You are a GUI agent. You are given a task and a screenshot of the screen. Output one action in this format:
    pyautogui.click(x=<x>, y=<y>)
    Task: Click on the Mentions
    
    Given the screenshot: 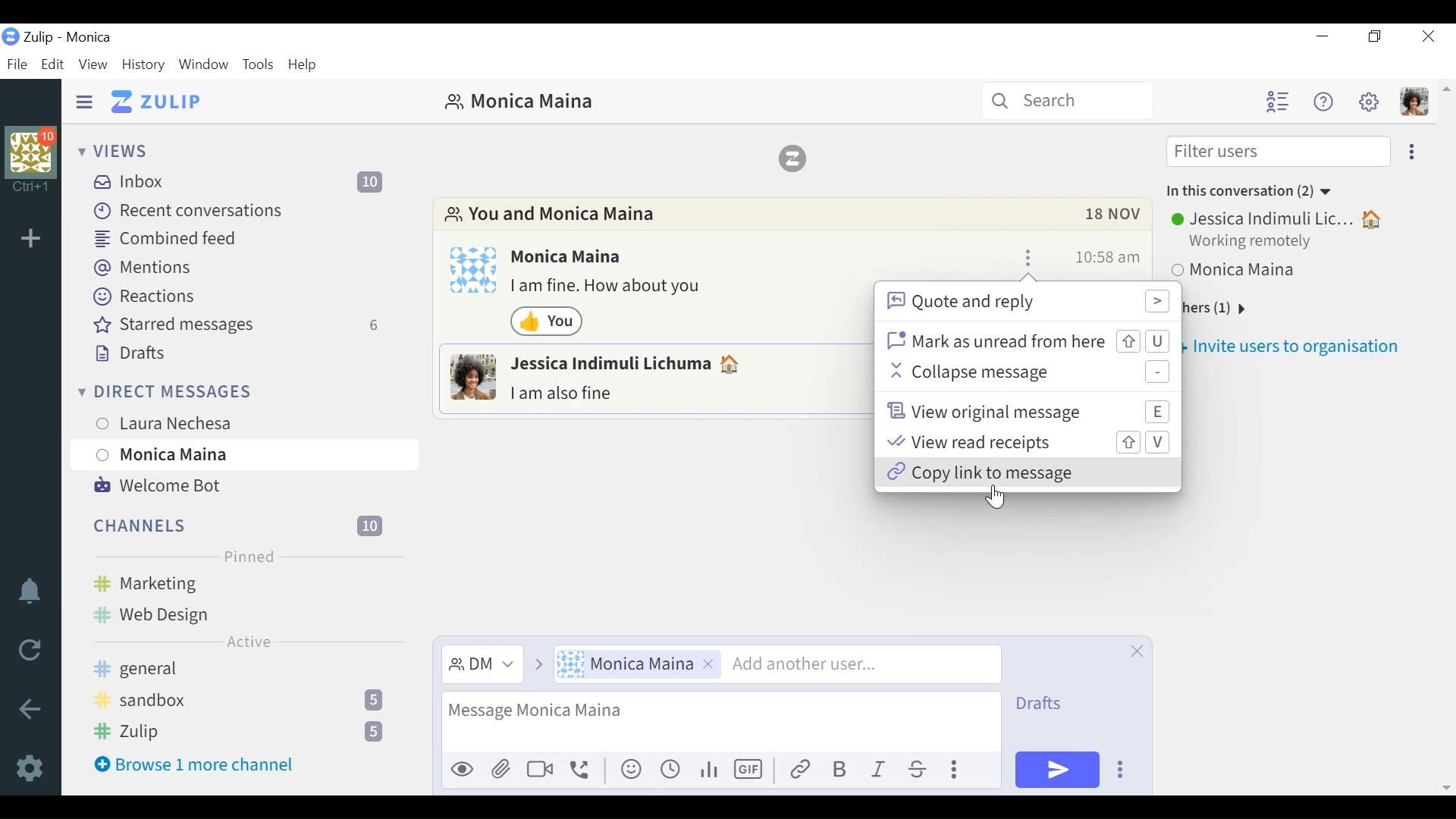 What is the action you would take?
    pyautogui.click(x=142, y=267)
    